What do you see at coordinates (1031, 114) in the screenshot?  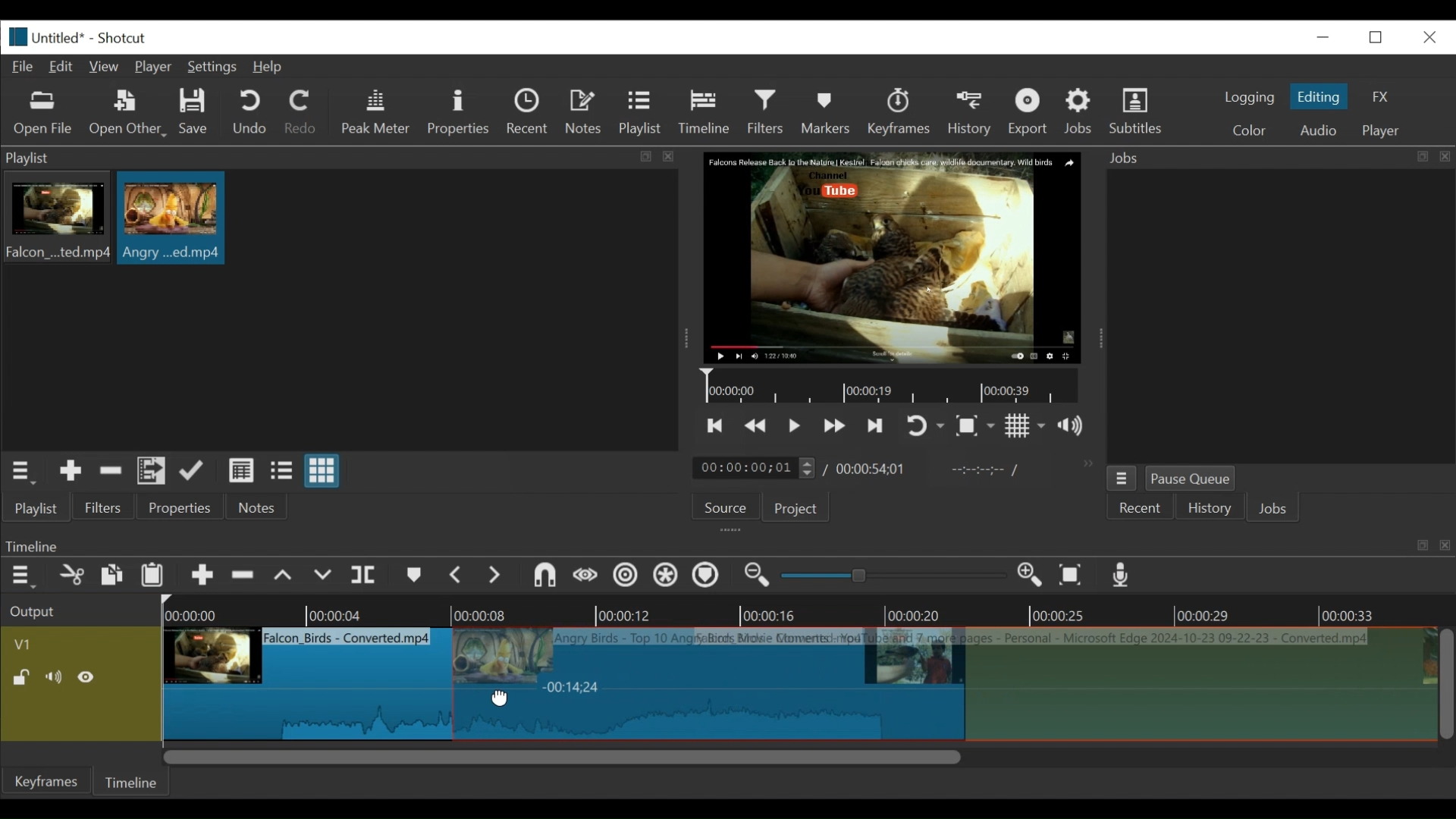 I see `Export` at bounding box center [1031, 114].